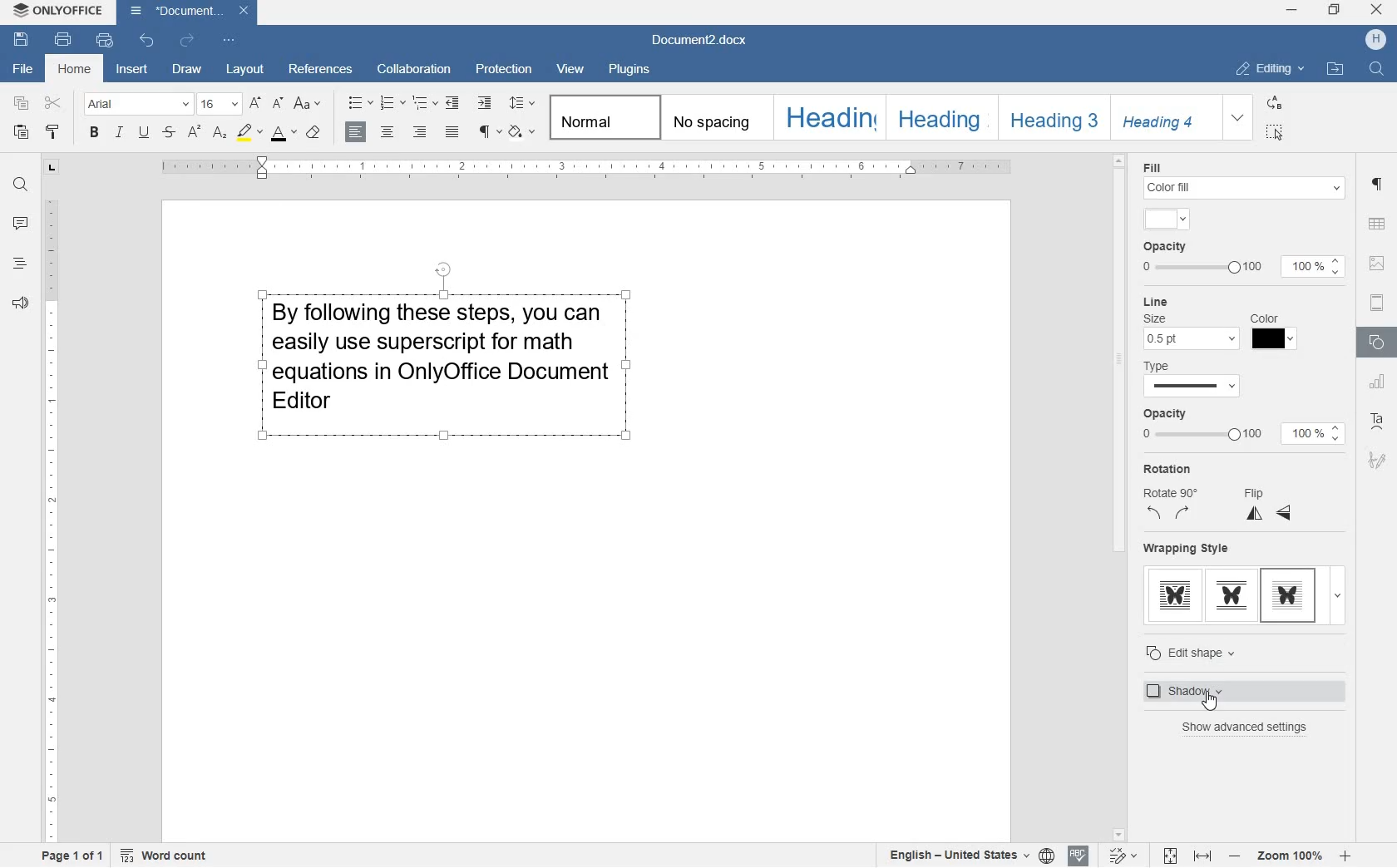  What do you see at coordinates (1270, 68) in the screenshot?
I see `EDITING` at bounding box center [1270, 68].